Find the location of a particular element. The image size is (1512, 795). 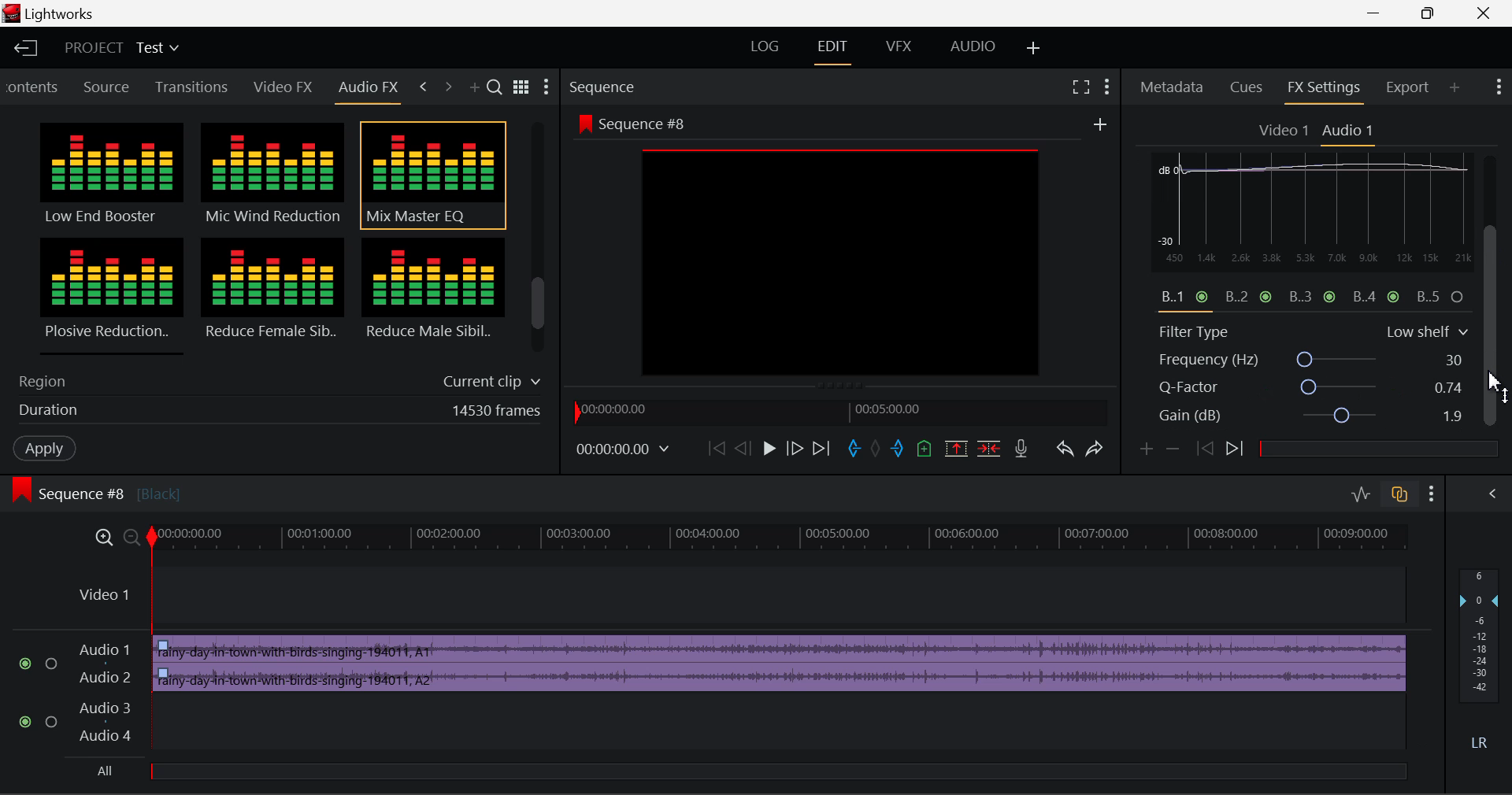

Toggle Auto Track Sync is located at coordinates (1399, 495).